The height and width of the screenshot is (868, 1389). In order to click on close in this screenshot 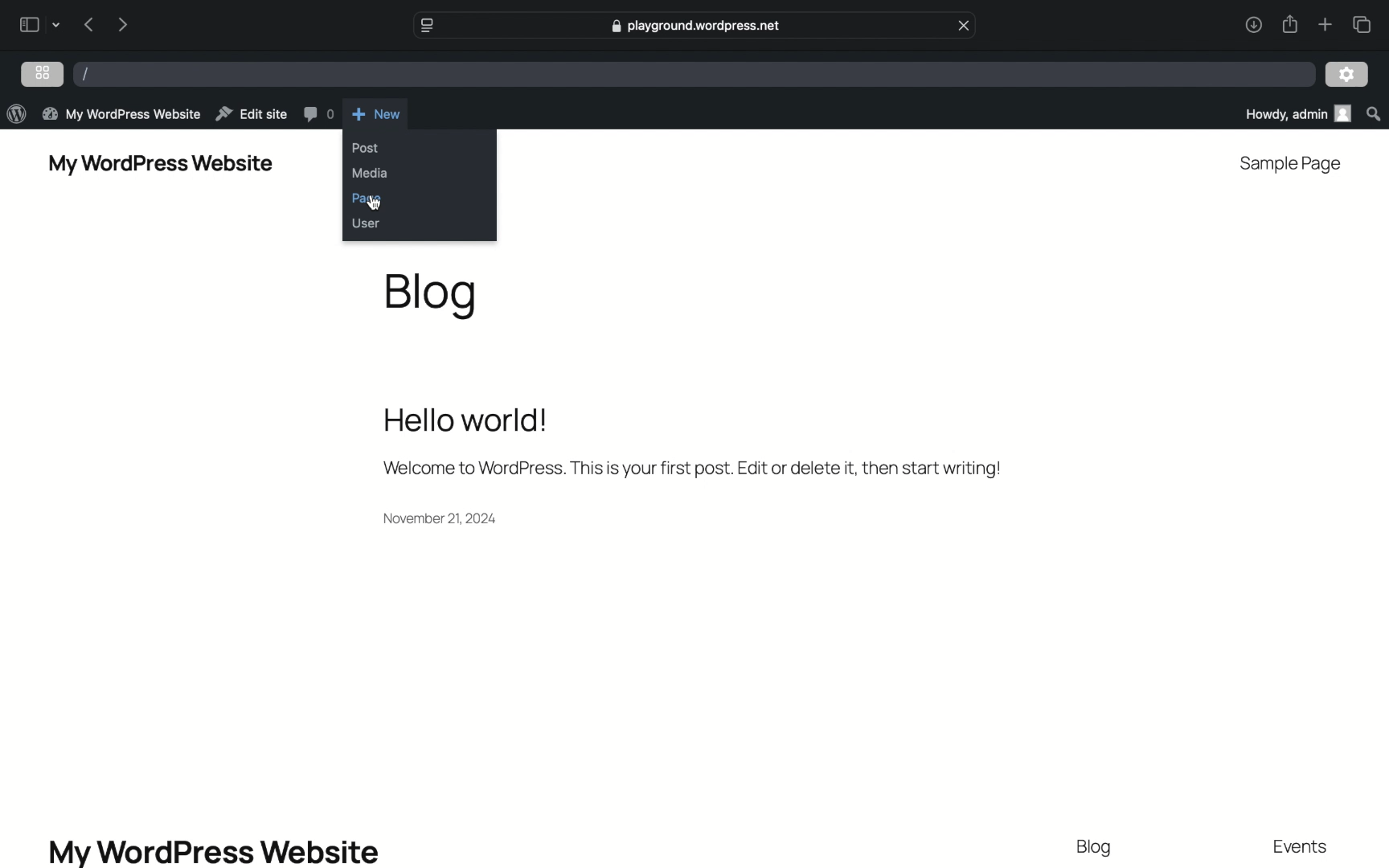, I will do `click(965, 24)`.